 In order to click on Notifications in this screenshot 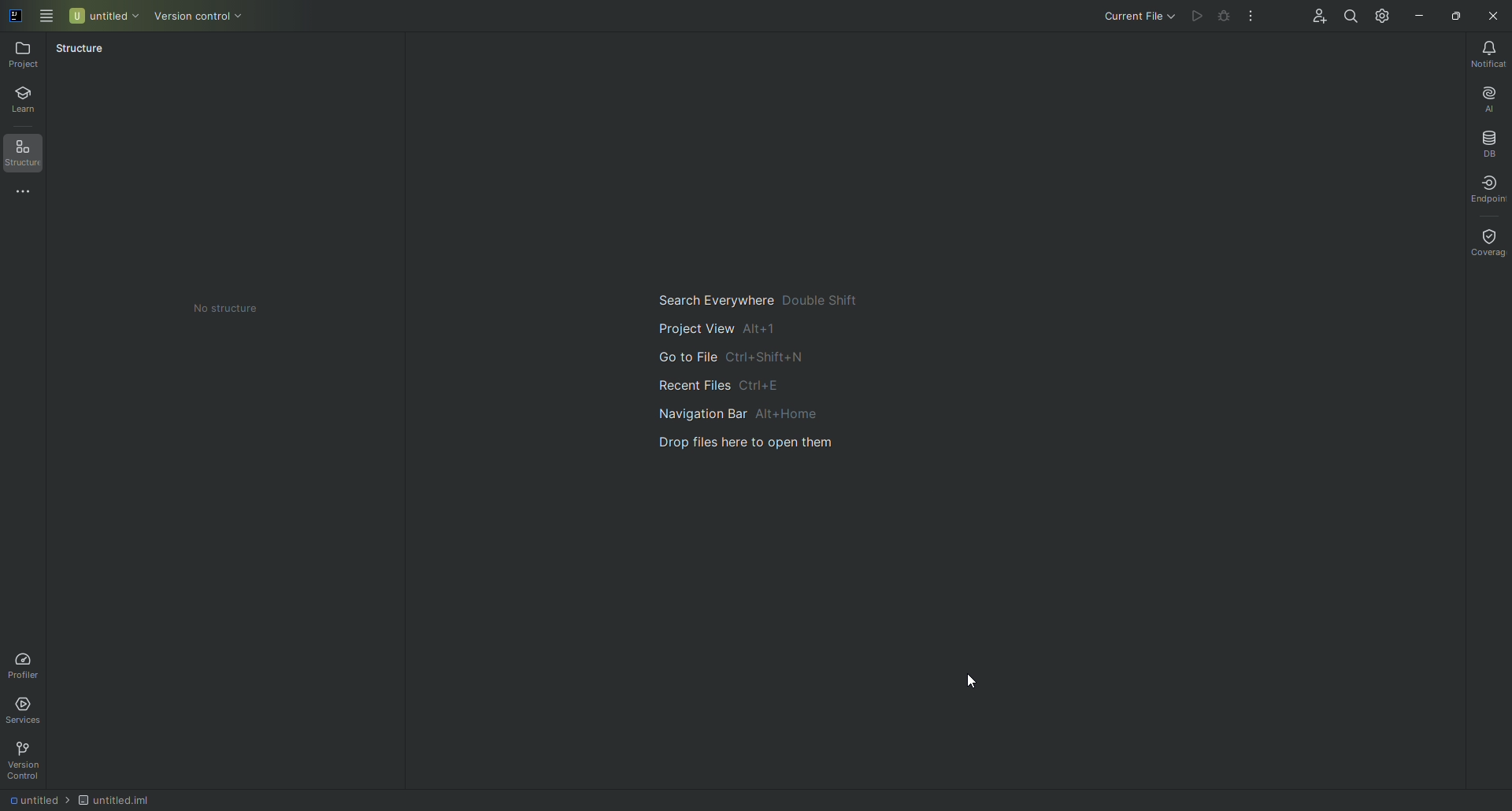, I will do `click(1486, 52)`.